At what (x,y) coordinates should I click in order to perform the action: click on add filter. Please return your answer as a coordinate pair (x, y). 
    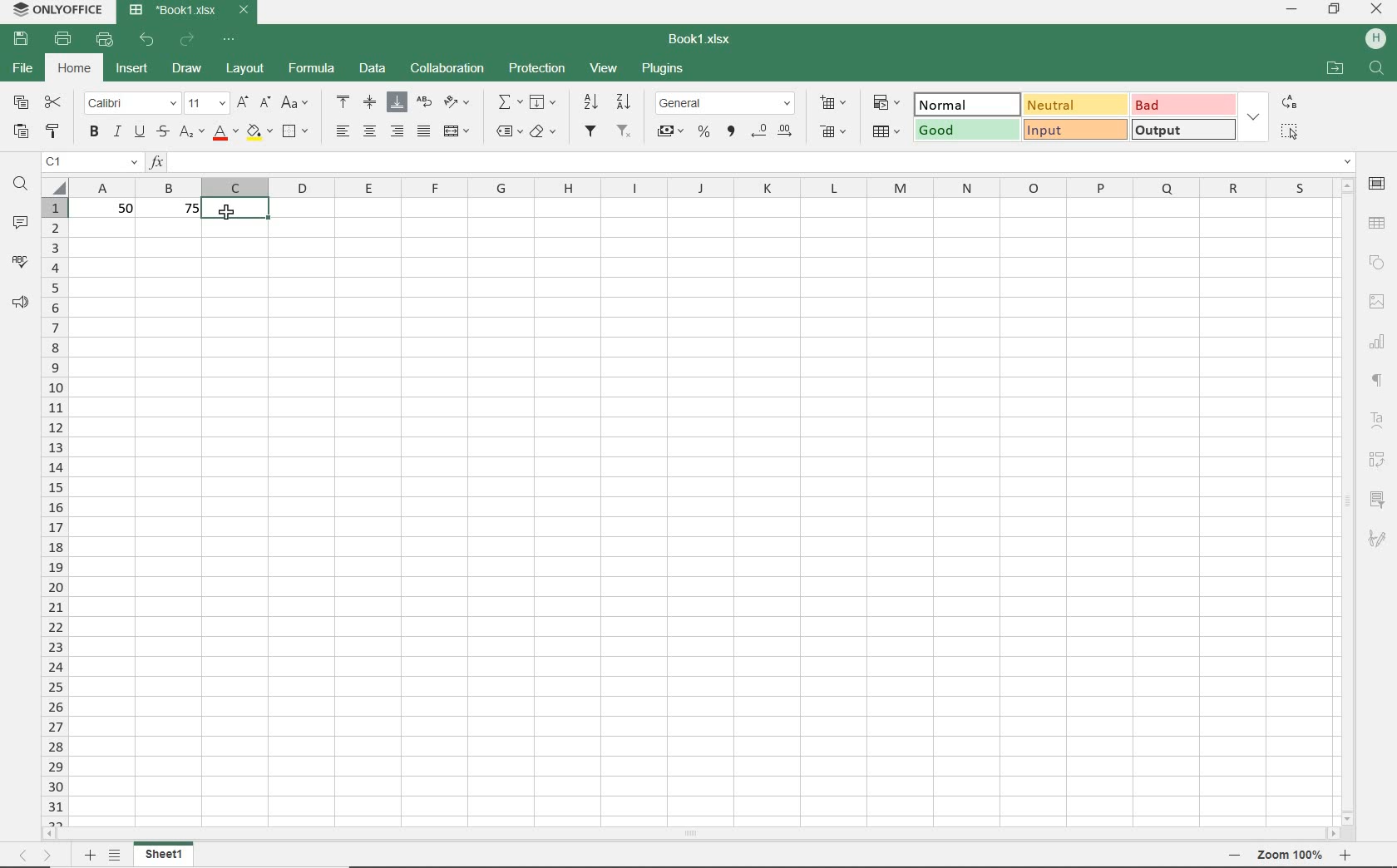
    Looking at the image, I should click on (591, 133).